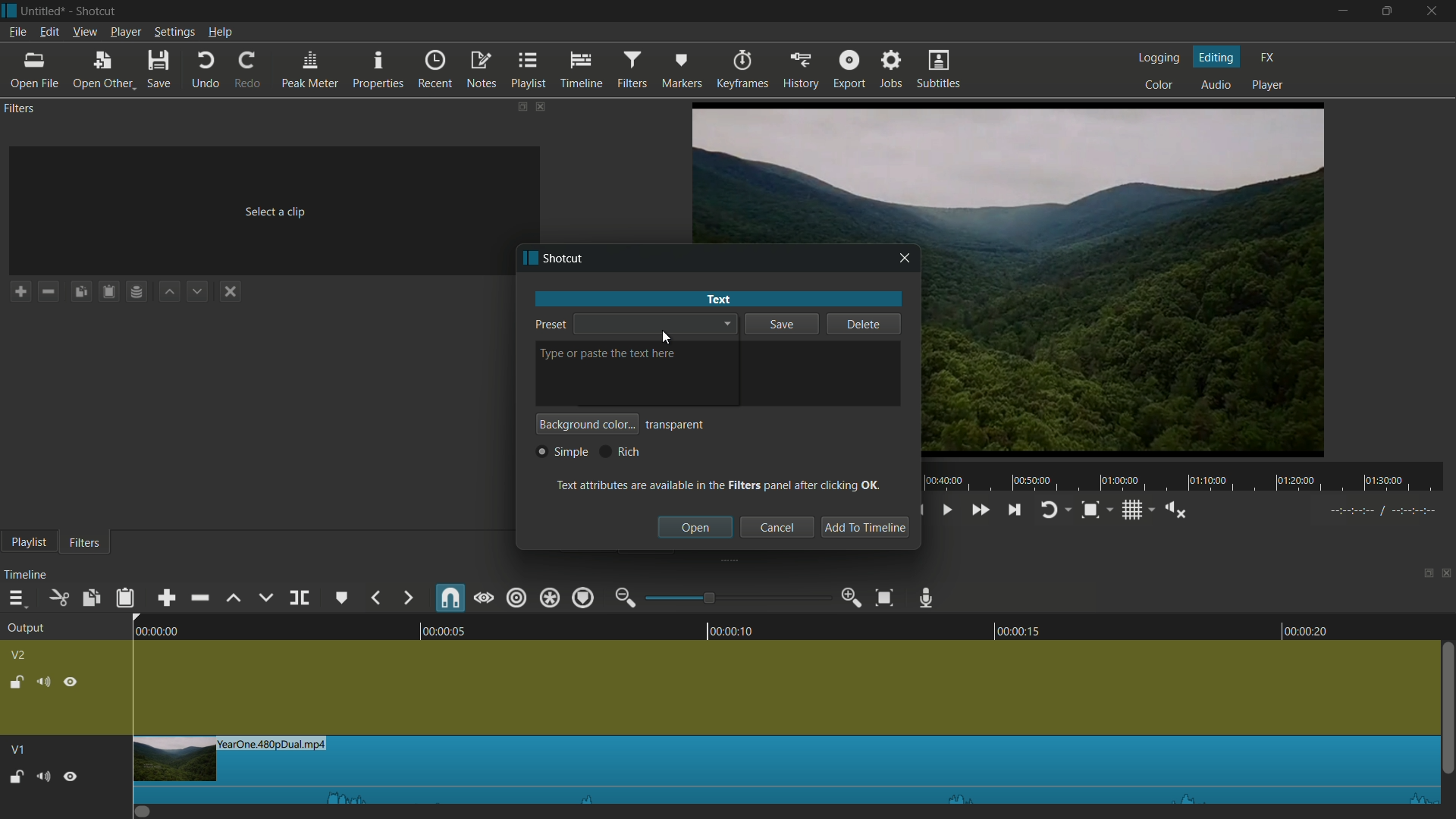  What do you see at coordinates (21, 109) in the screenshot?
I see `filters` at bounding box center [21, 109].